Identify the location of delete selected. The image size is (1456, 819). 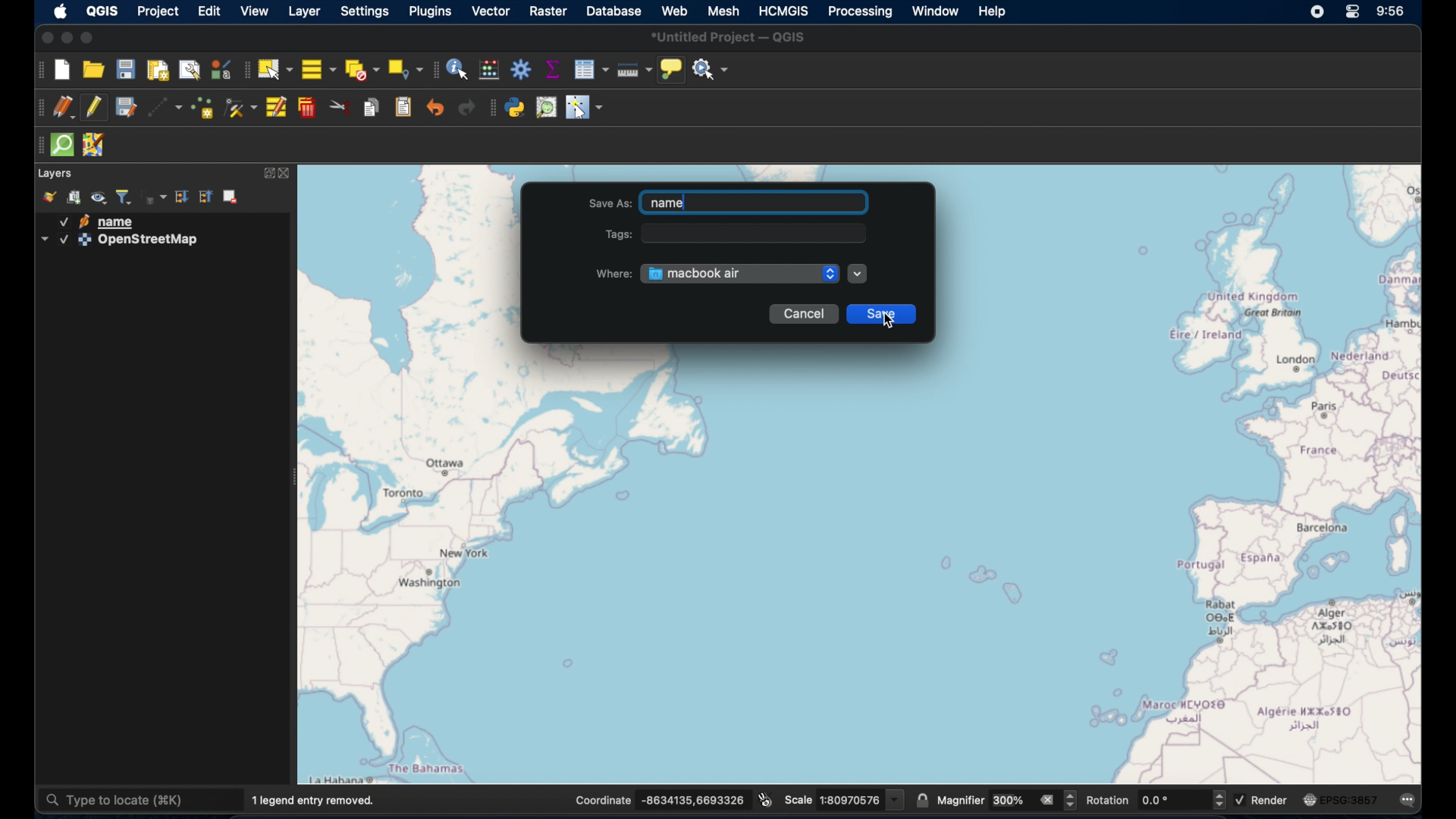
(307, 108).